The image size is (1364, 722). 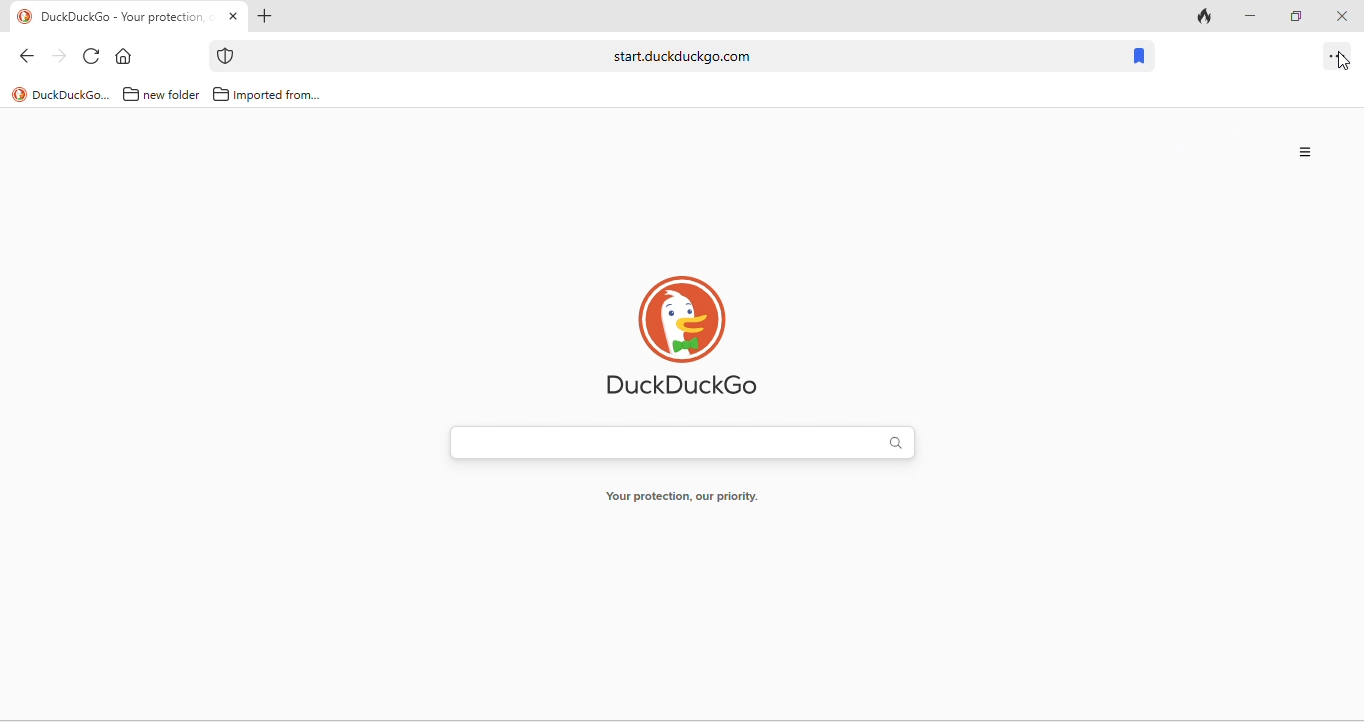 What do you see at coordinates (1338, 58) in the screenshot?
I see `option` at bounding box center [1338, 58].